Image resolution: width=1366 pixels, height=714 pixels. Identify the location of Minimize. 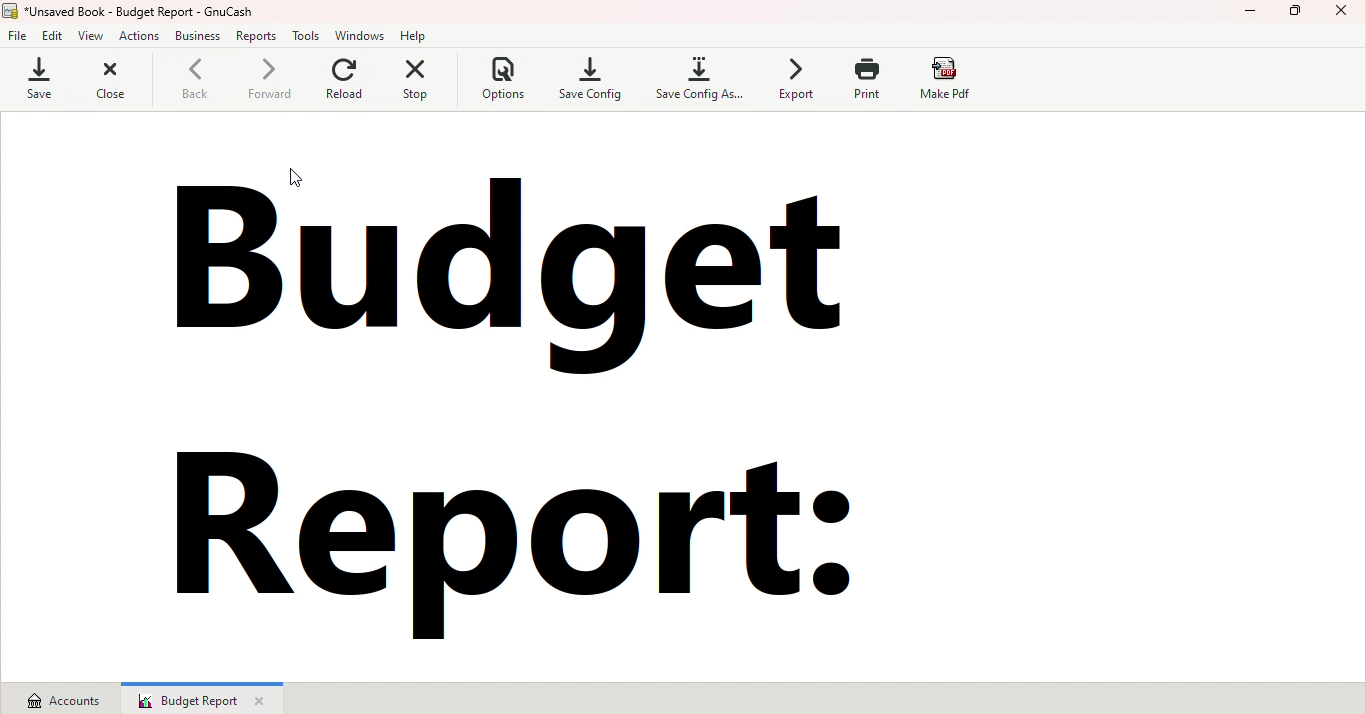
(1247, 15).